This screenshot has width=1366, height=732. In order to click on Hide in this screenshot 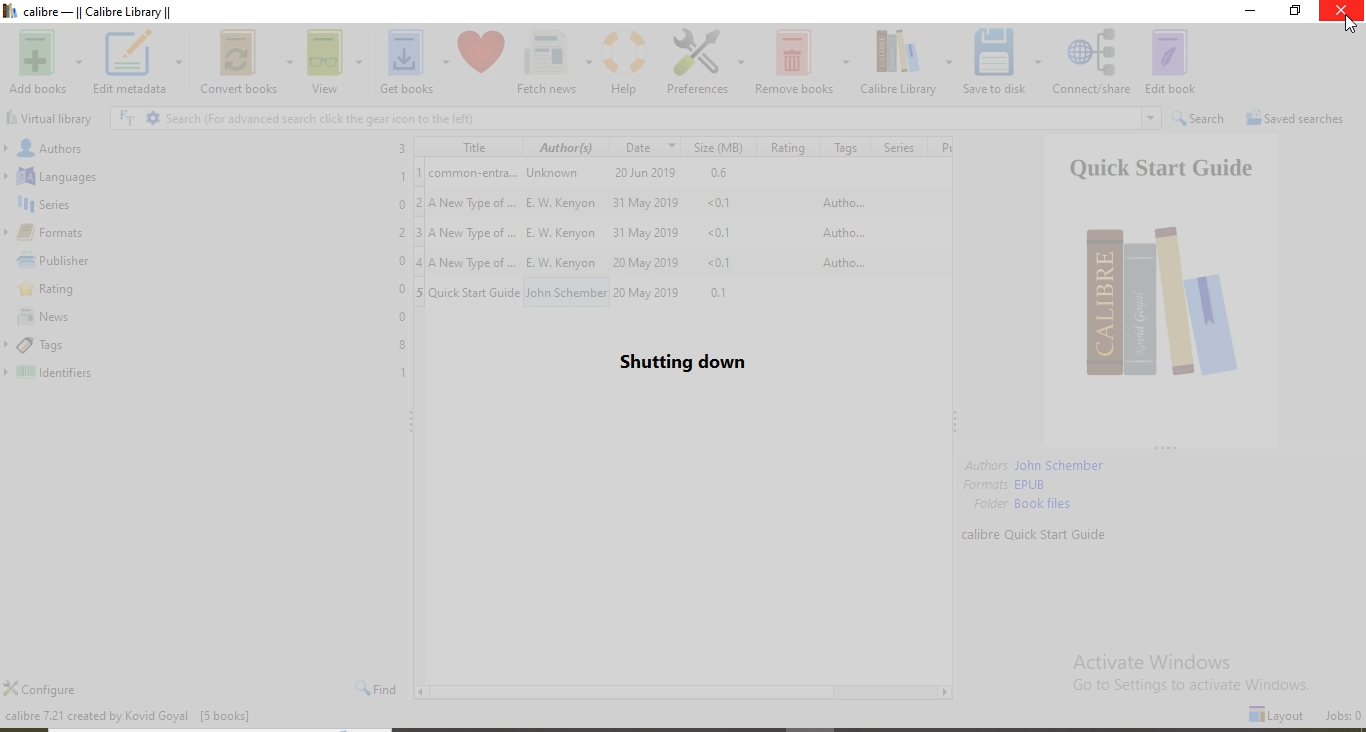, I will do `click(1163, 447)`.